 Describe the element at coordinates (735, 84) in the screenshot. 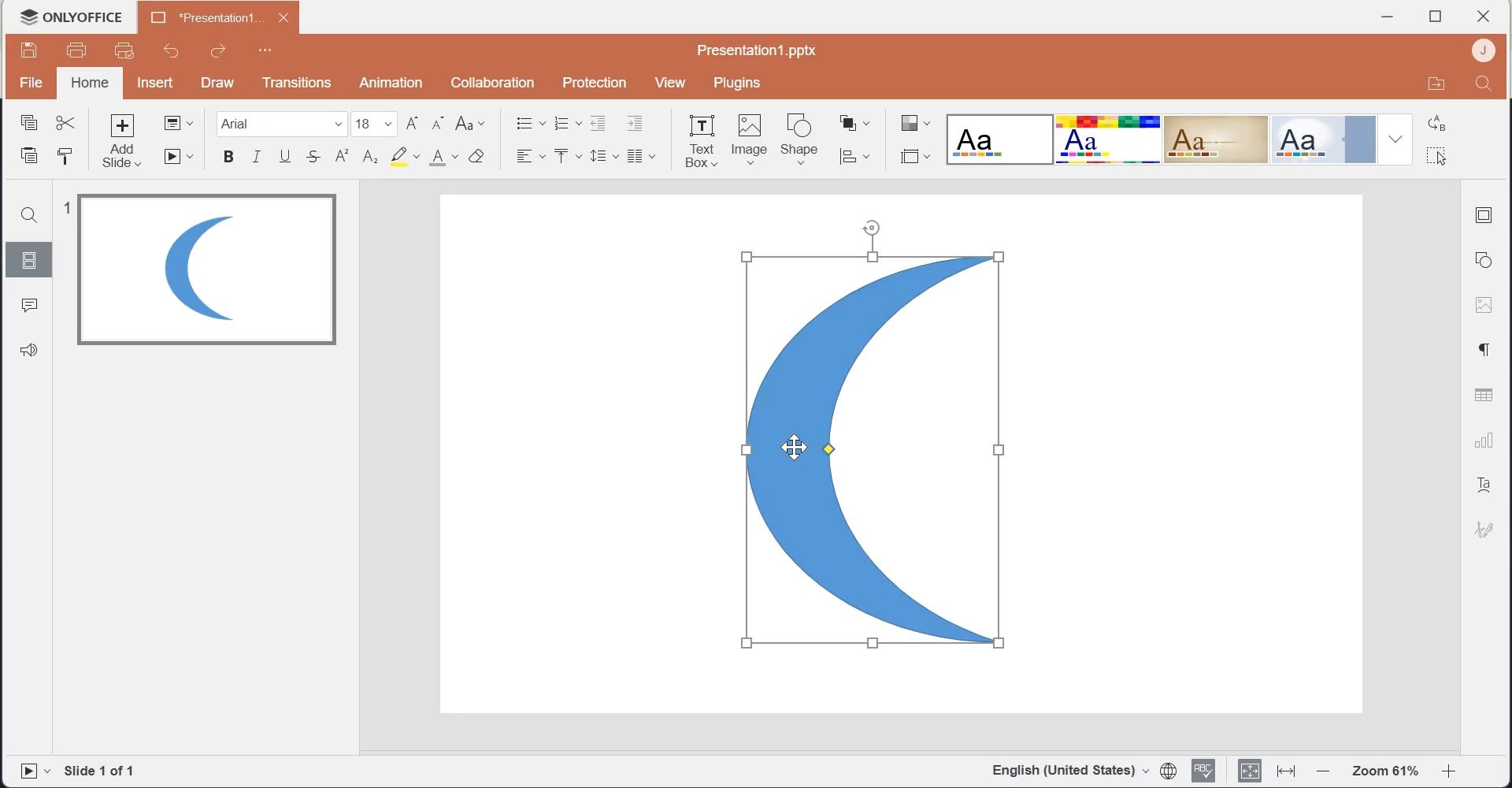

I see `Plugins` at that location.